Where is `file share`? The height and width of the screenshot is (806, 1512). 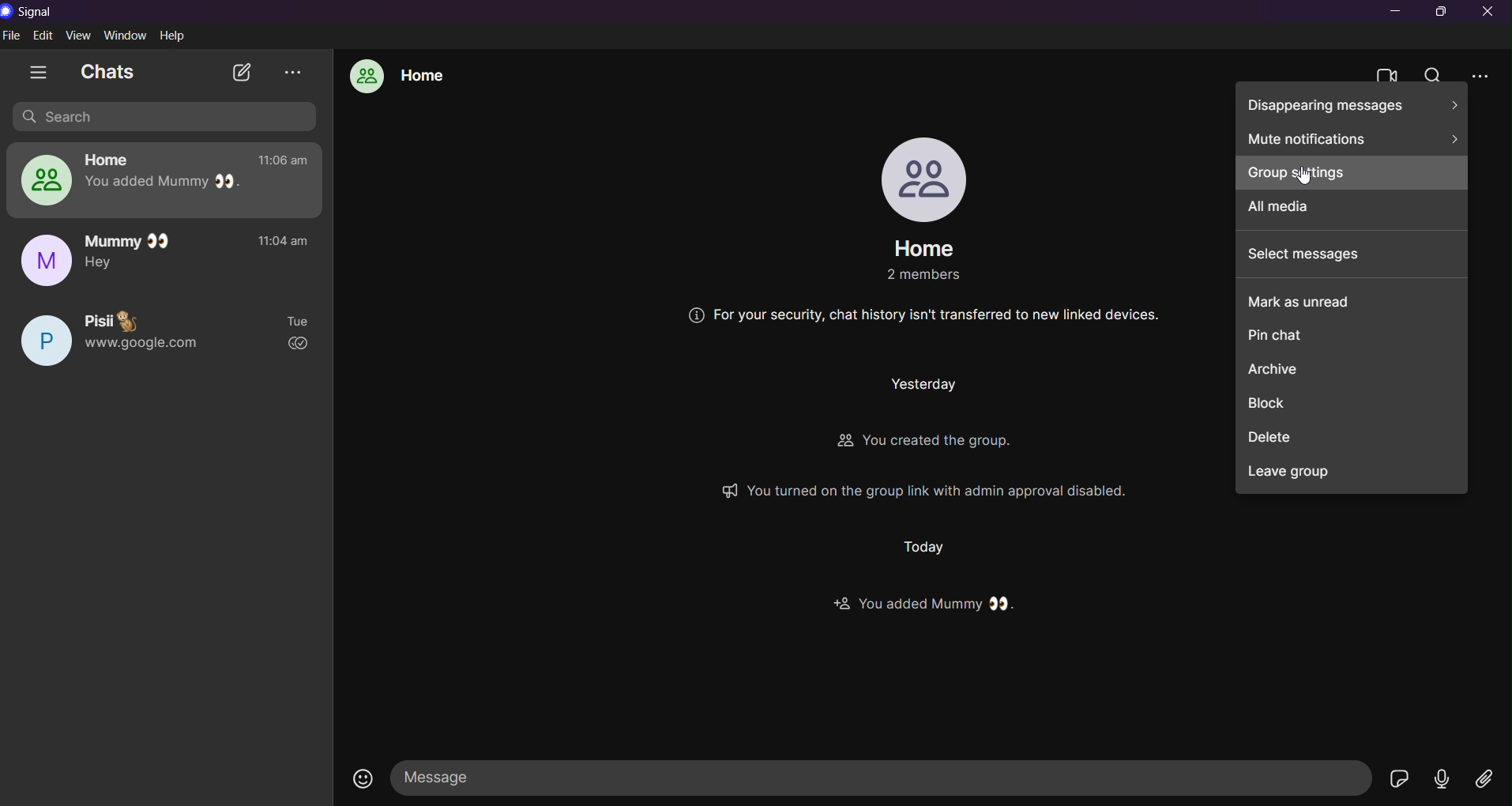
file share is located at coordinates (1480, 777).